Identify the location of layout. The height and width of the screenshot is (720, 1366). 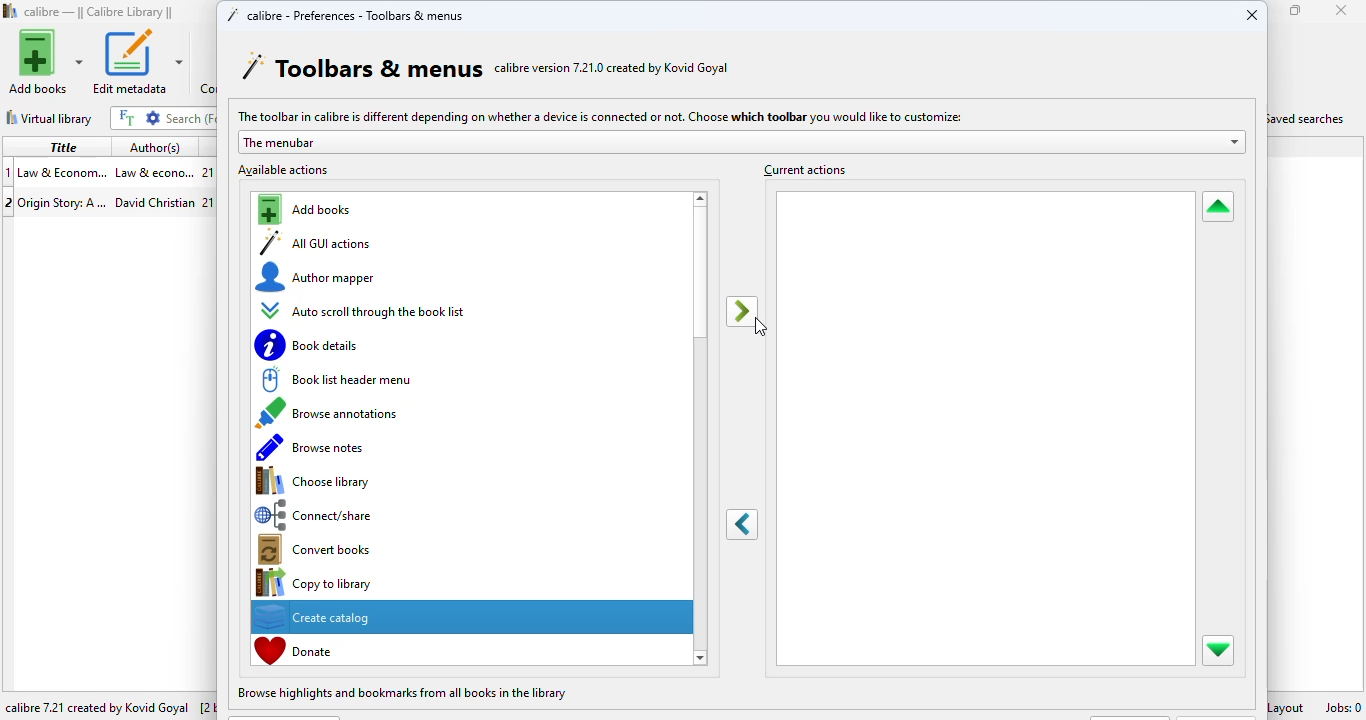
(1289, 706).